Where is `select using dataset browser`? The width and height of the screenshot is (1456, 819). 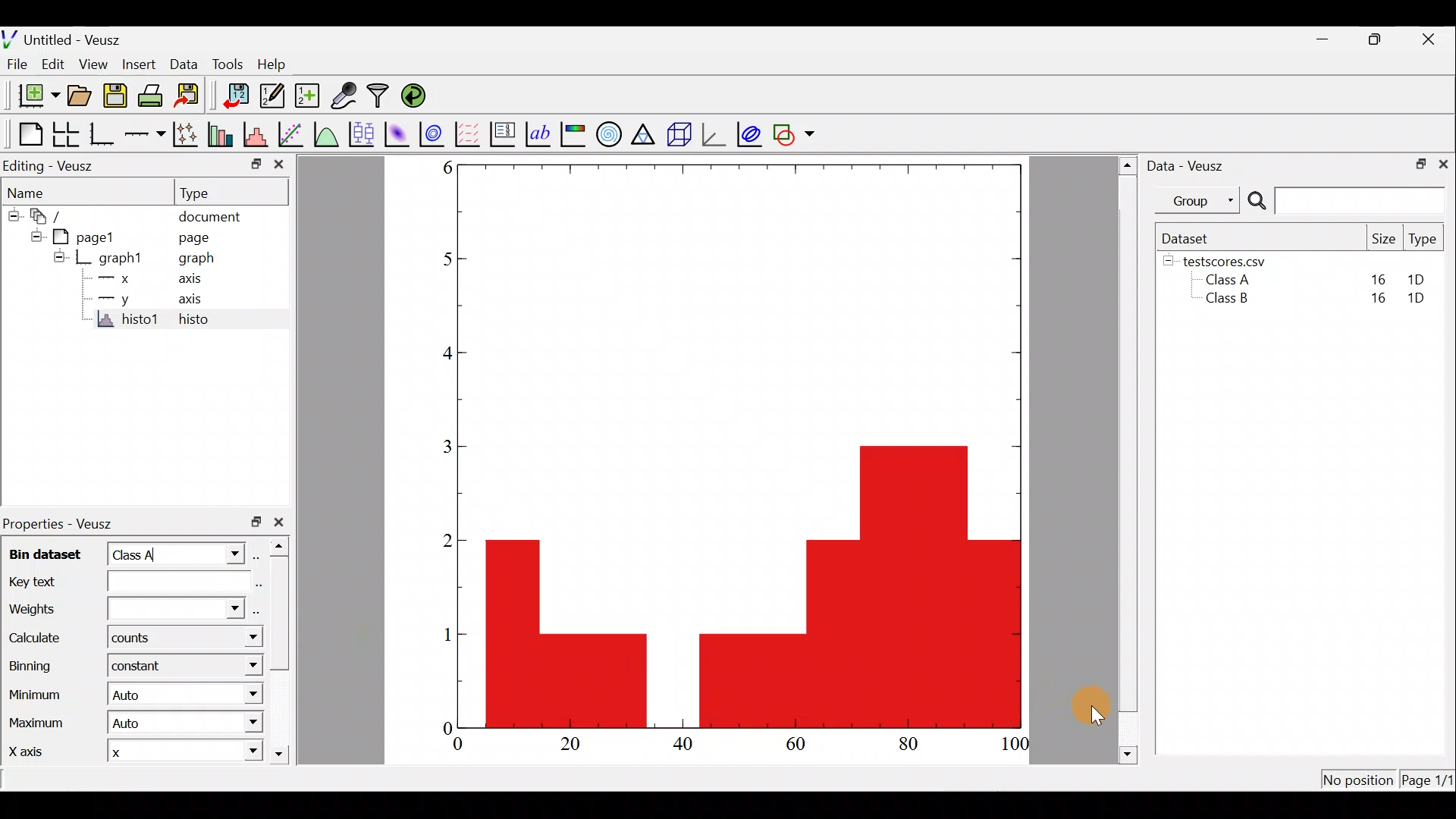
select using dataset browser is located at coordinates (258, 610).